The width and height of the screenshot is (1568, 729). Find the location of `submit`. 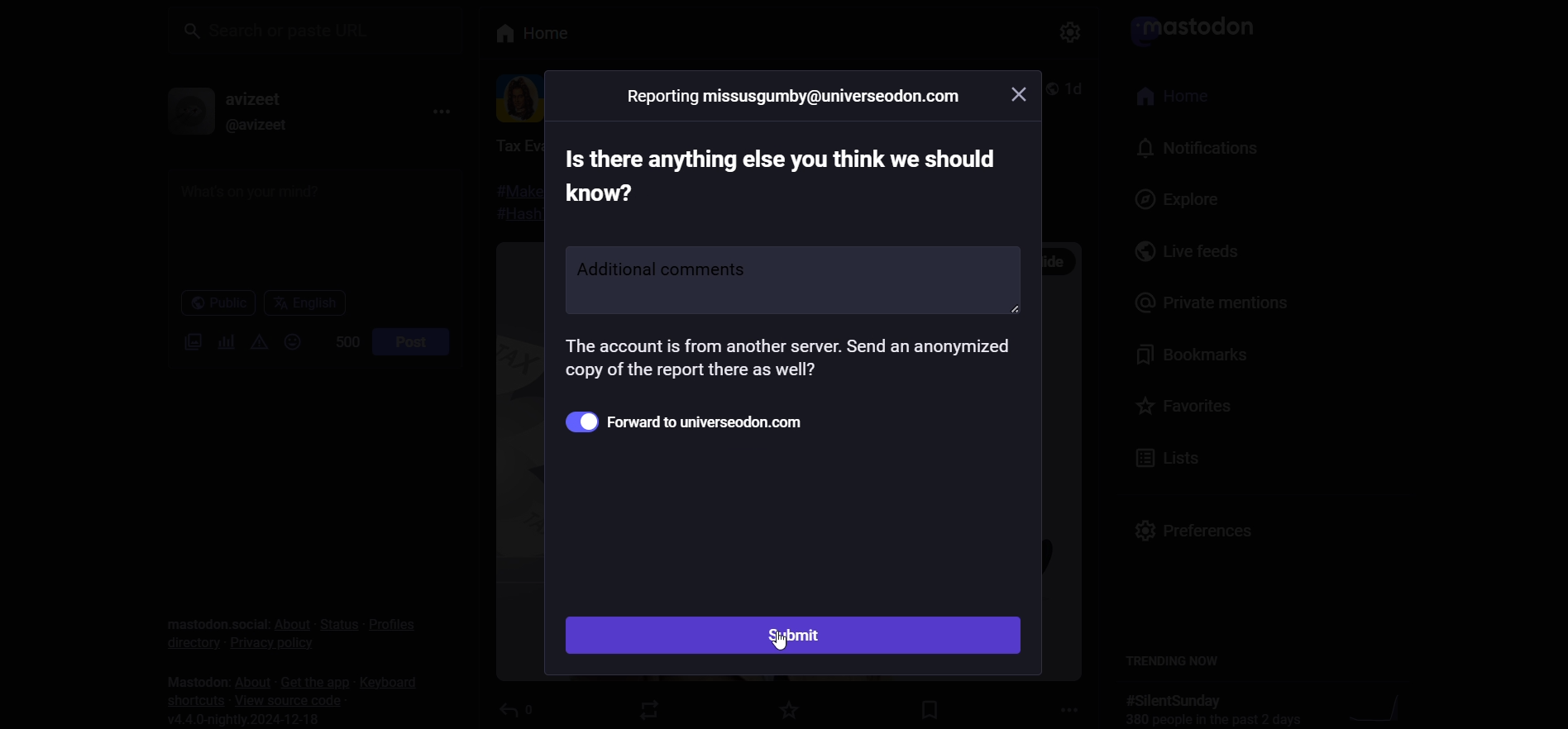

submit is located at coordinates (796, 636).